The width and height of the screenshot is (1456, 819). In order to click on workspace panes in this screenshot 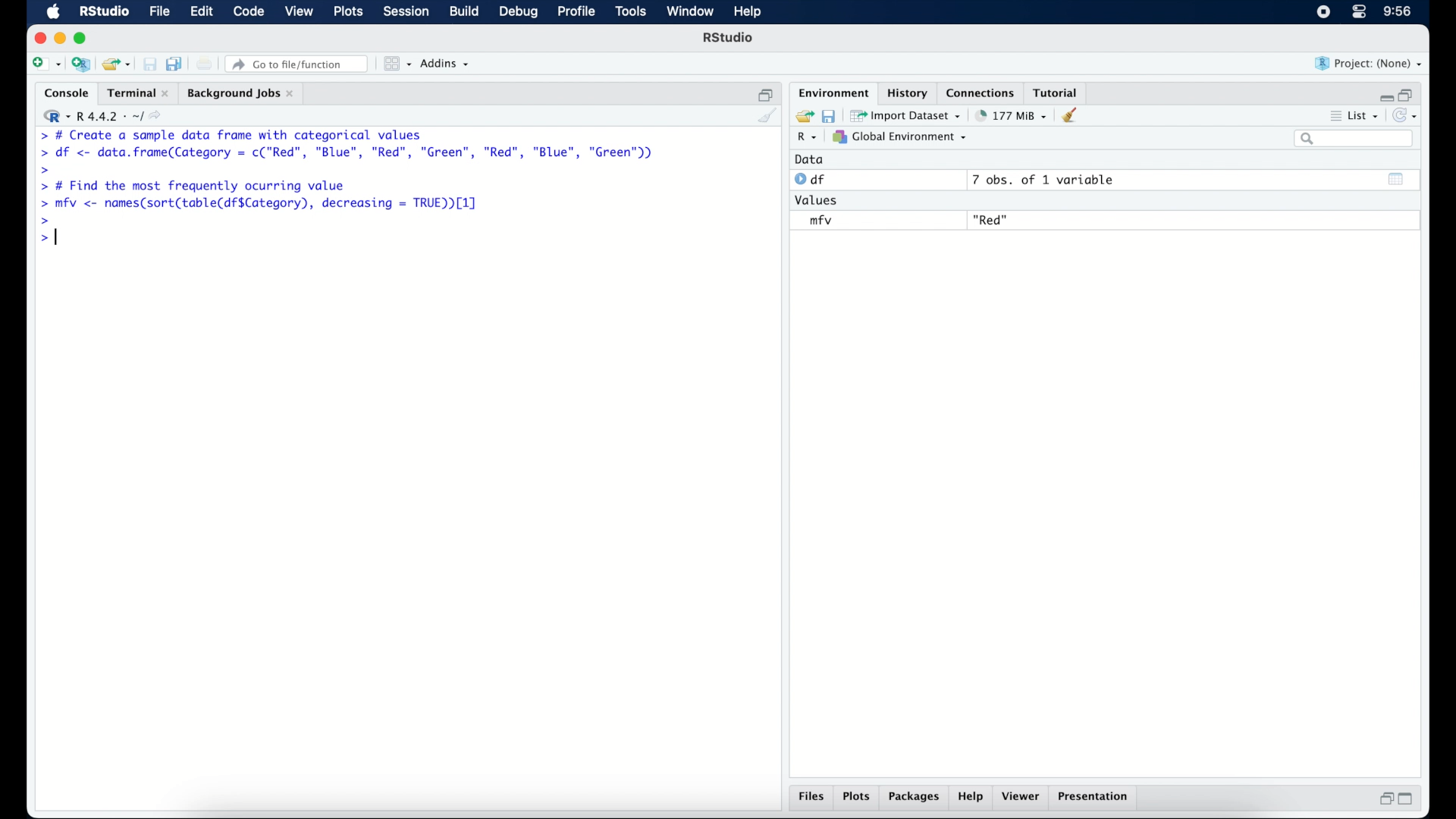, I will do `click(397, 64)`.